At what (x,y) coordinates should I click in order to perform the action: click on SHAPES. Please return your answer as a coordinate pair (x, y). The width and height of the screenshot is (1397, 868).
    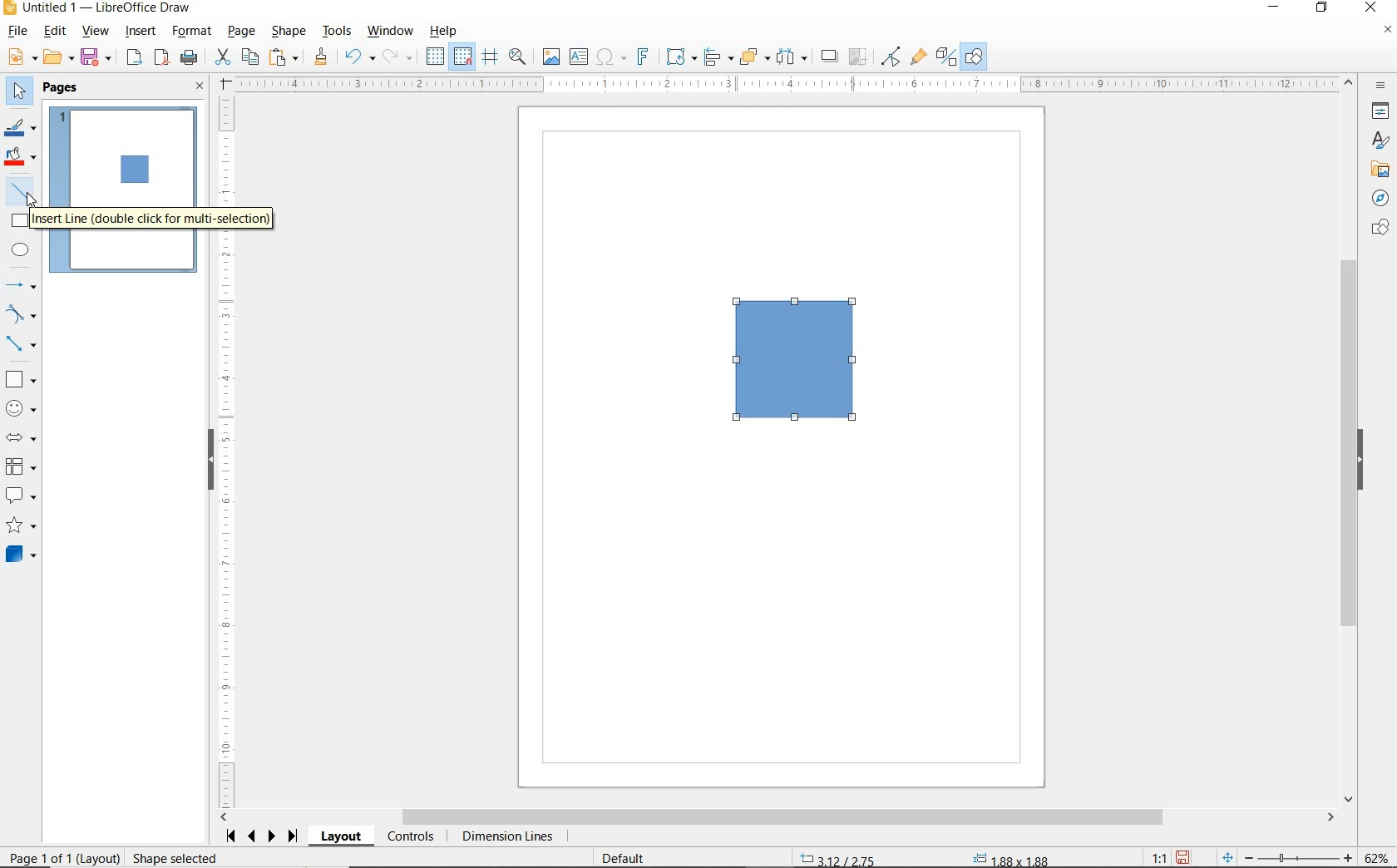
    Looking at the image, I should click on (1378, 229).